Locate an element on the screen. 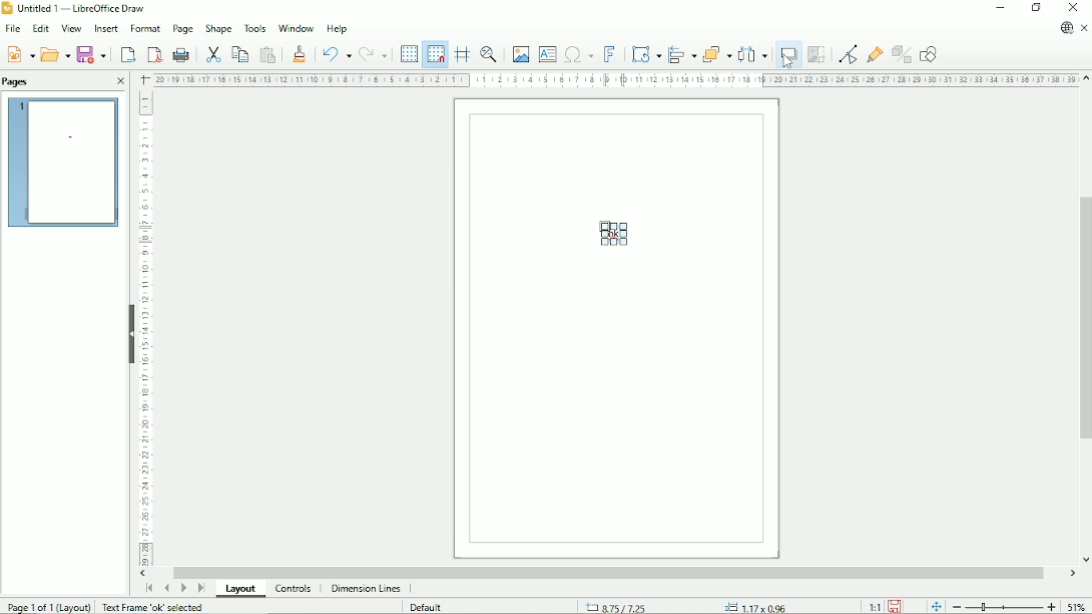 The image size is (1092, 614). Scroll to previous page is located at coordinates (166, 588).